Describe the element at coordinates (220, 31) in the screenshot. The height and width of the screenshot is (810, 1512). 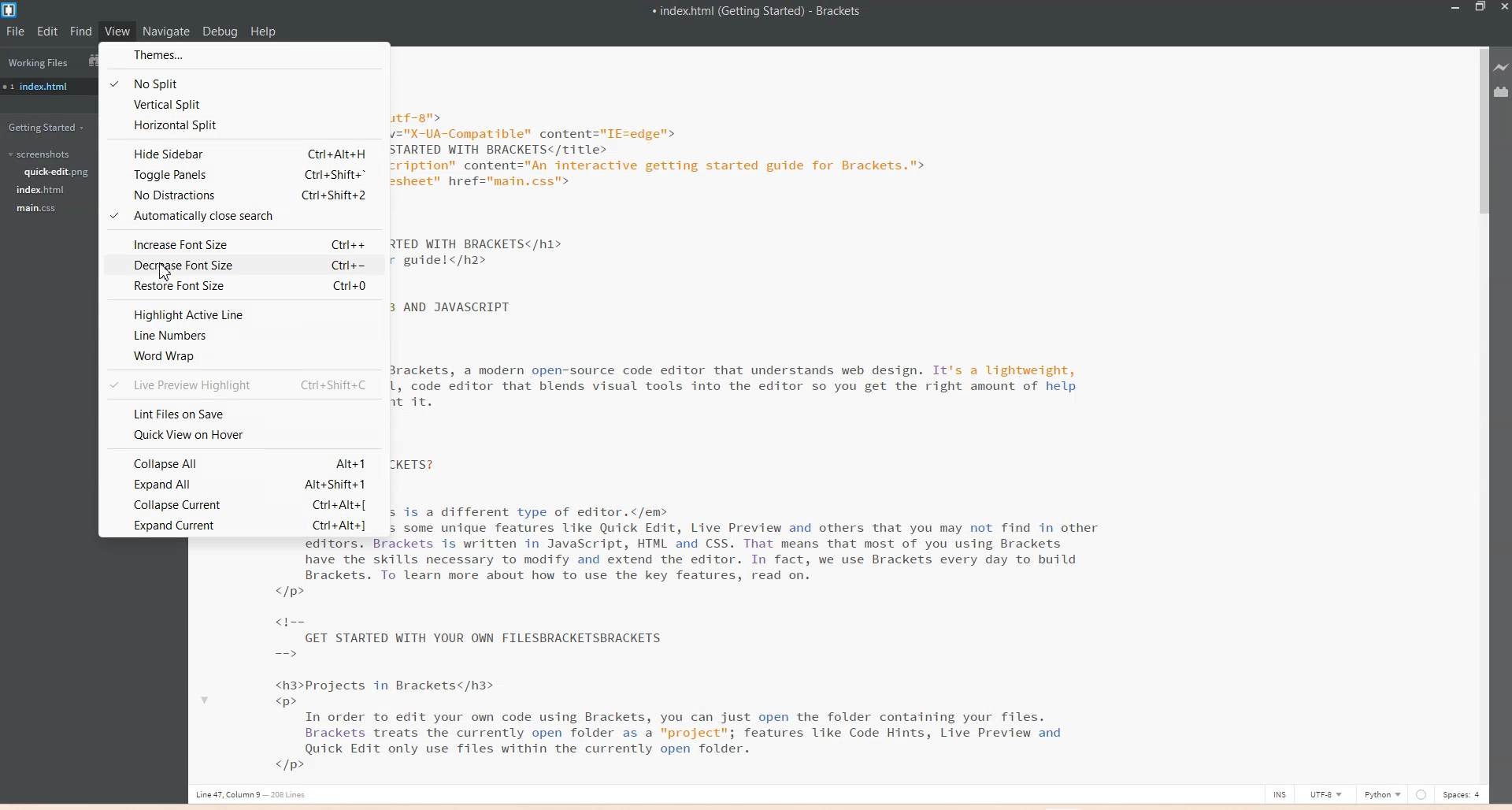
I see `Debug` at that location.